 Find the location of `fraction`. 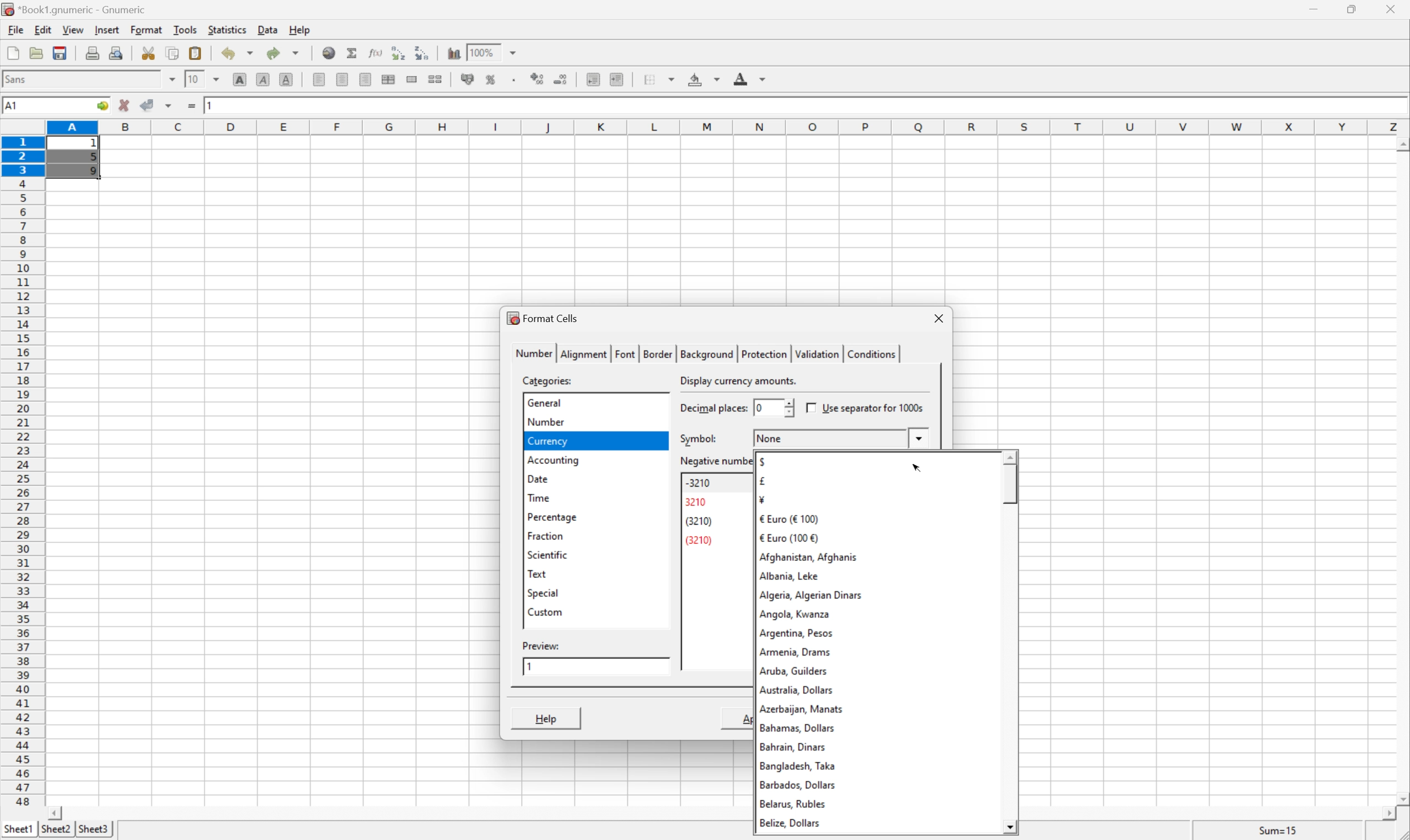

fraction is located at coordinates (545, 535).